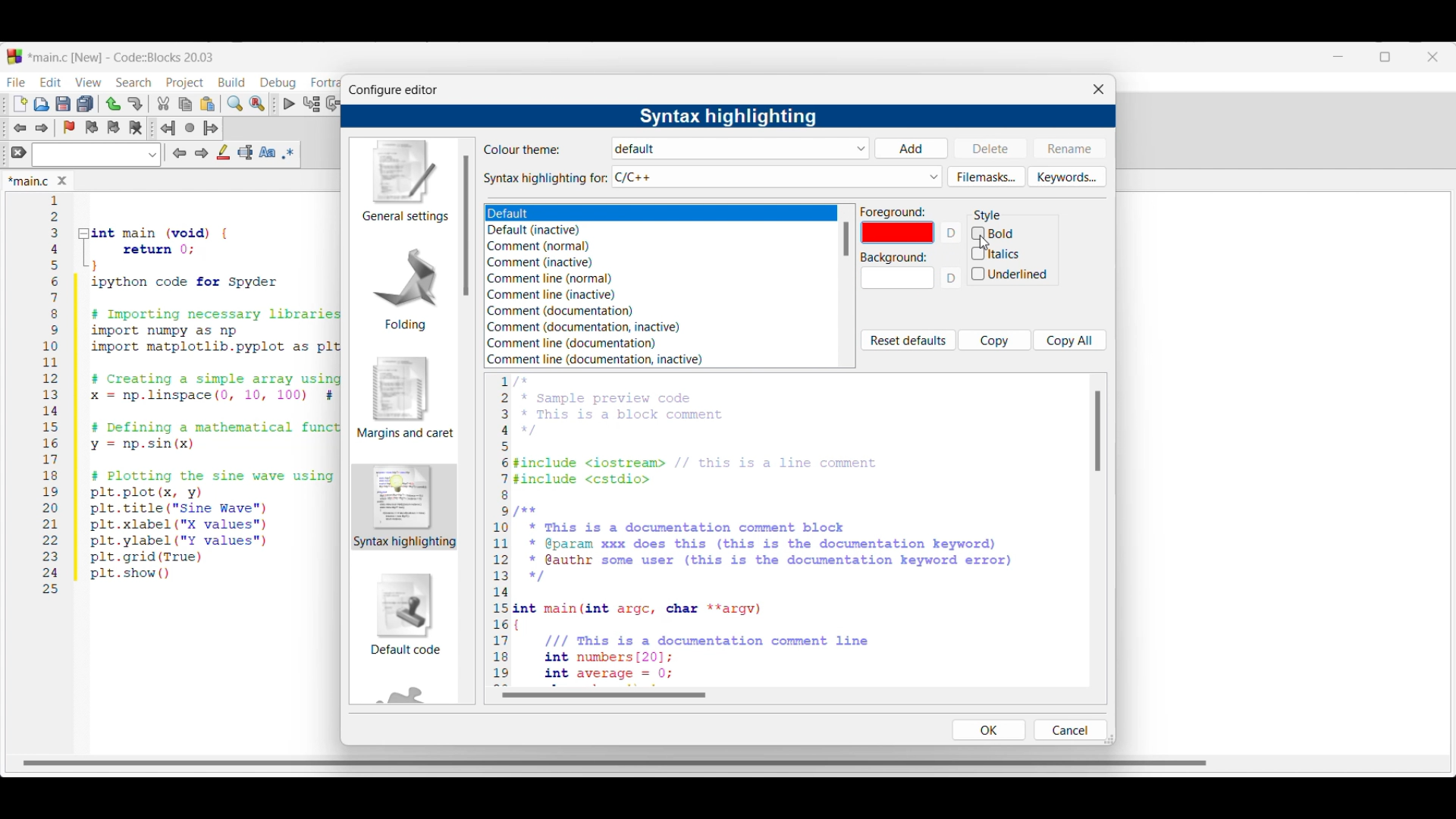 The width and height of the screenshot is (1456, 819). What do you see at coordinates (541, 262) in the screenshot?
I see `Comment (inactive)` at bounding box center [541, 262].